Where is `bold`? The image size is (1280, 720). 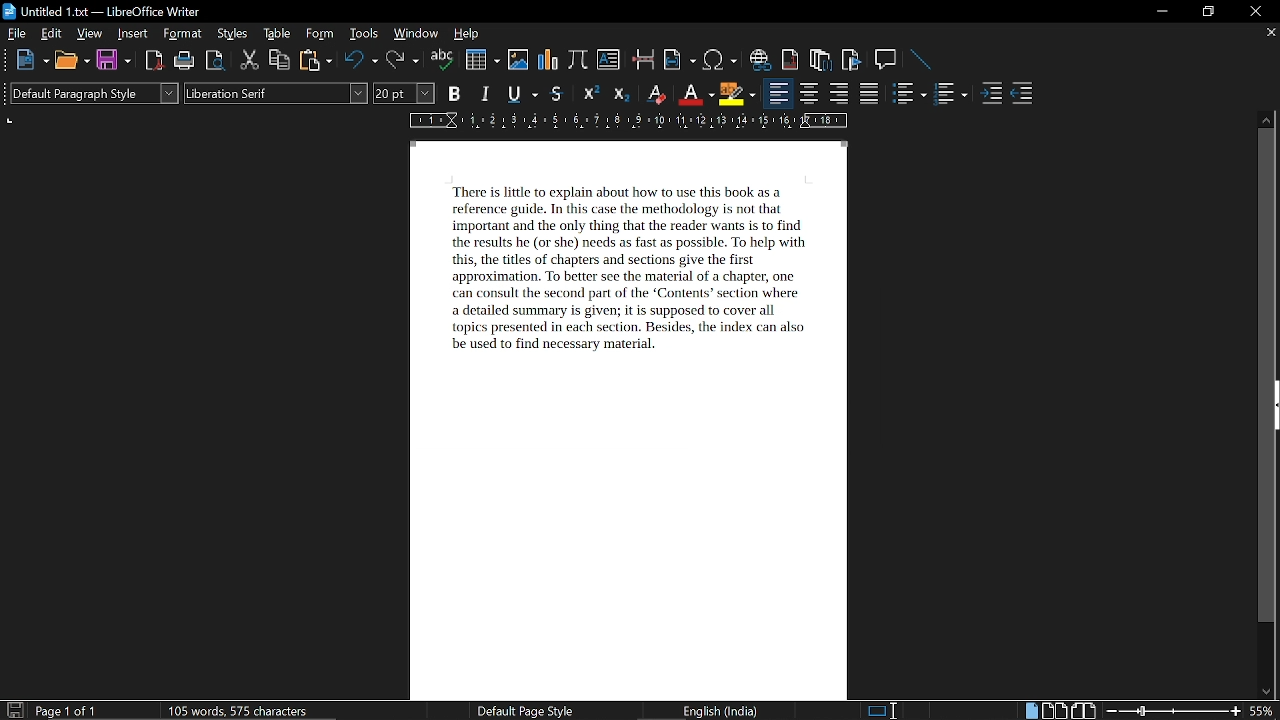
bold is located at coordinates (454, 92).